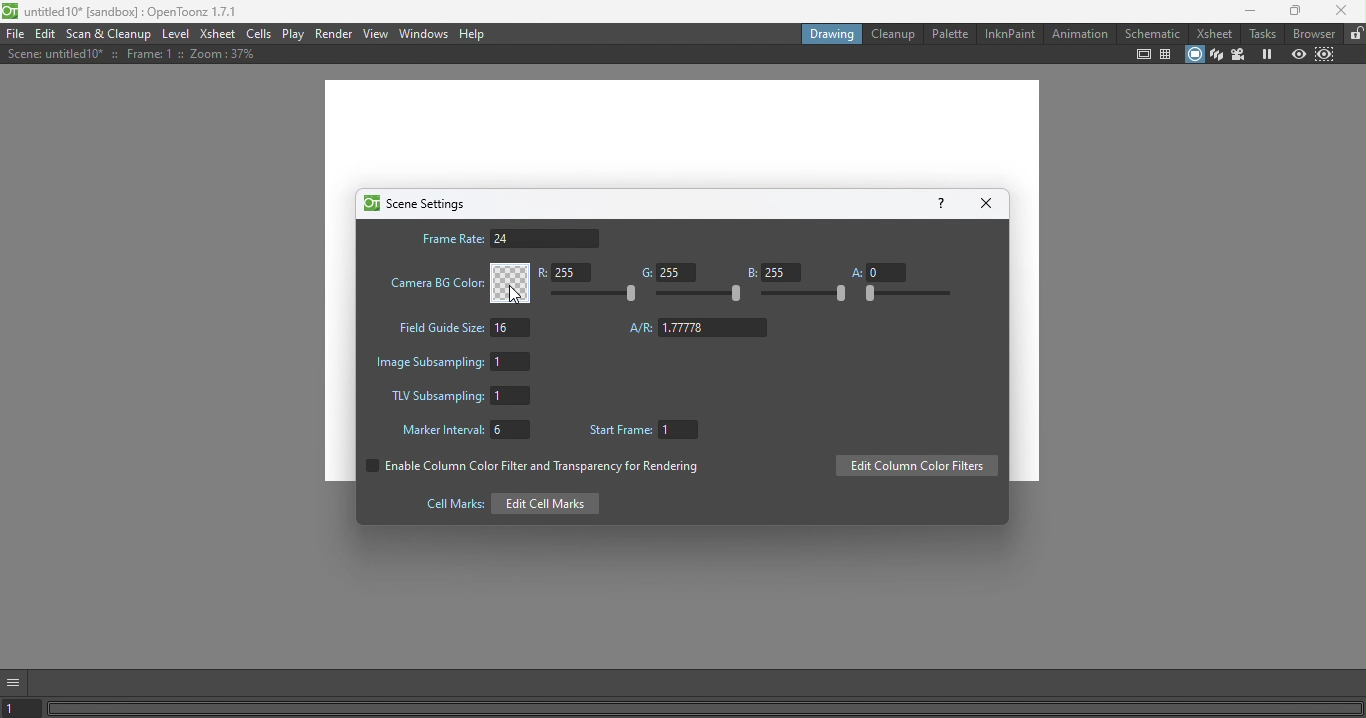 The width and height of the screenshot is (1366, 718). Describe the element at coordinates (509, 299) in the screenshot. I see `cursor` at that location.